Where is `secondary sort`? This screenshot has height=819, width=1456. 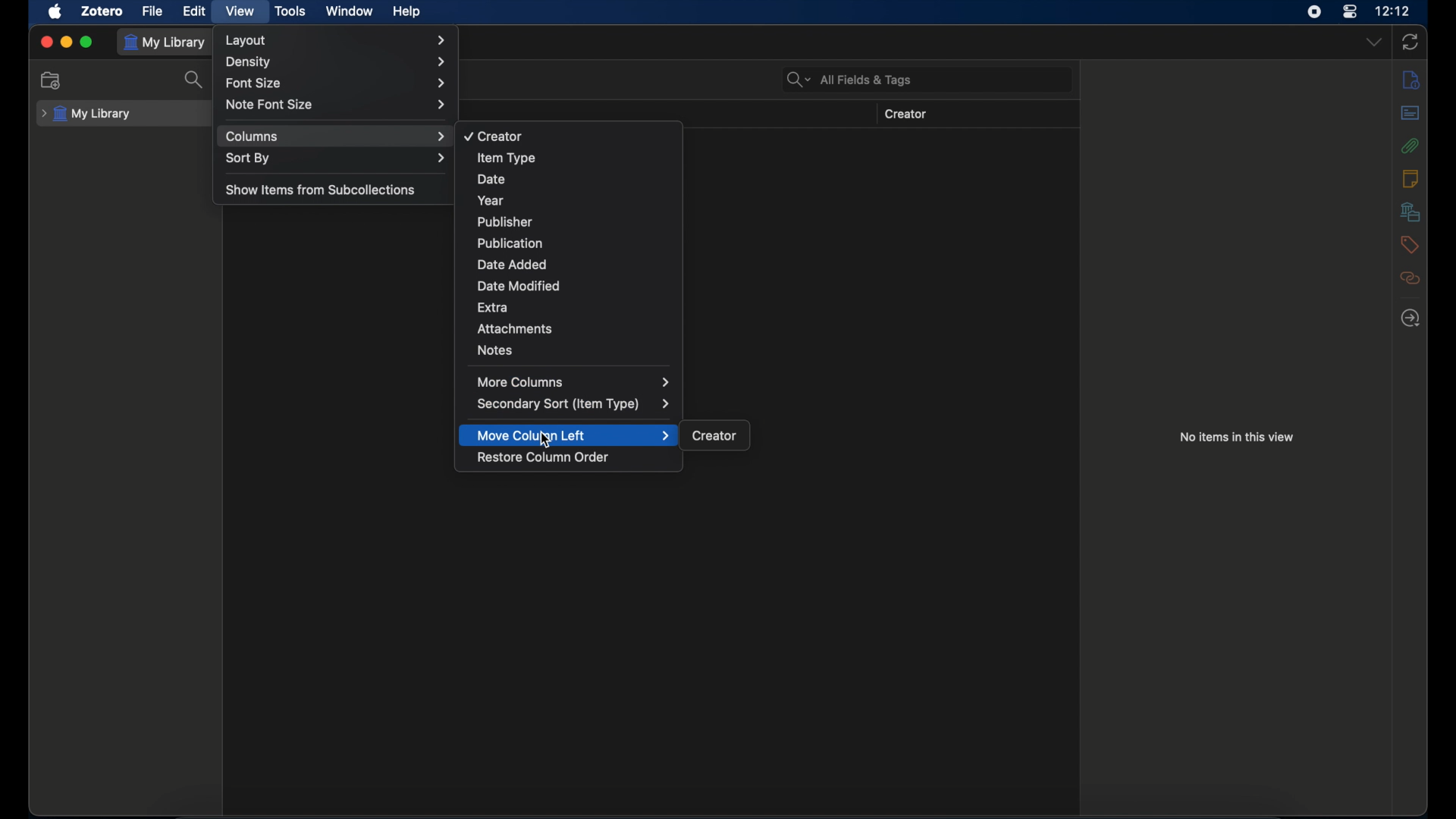
secondary sort is located at coordinates (574, 404).